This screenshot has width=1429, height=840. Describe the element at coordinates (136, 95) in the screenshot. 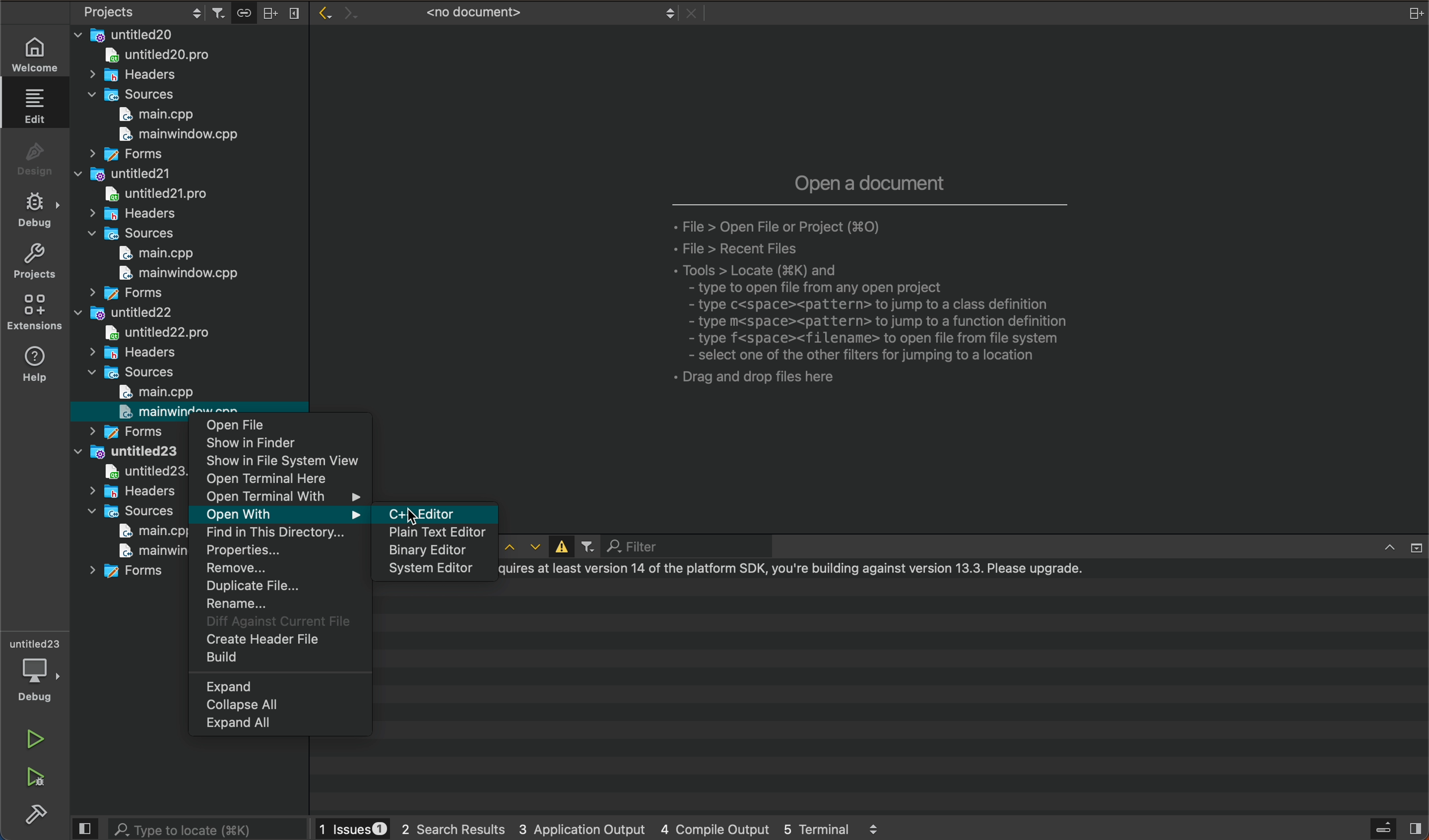

I see `sources` at that location.